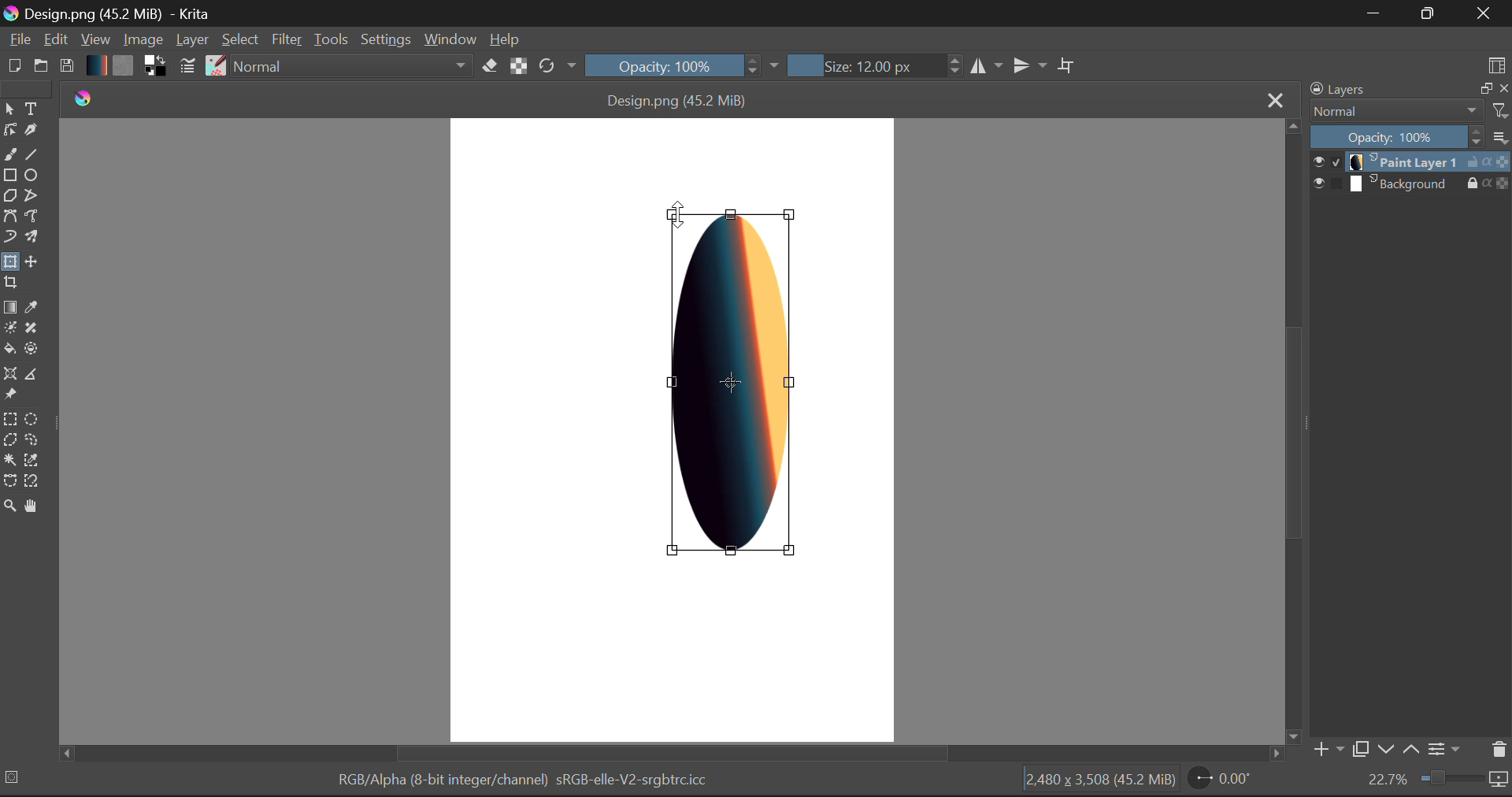 The image size is (1512, 797). What do you see at coordinates (32, 176) in the screenshot?
I see `Ellipses` at bounding box center [32, 176].